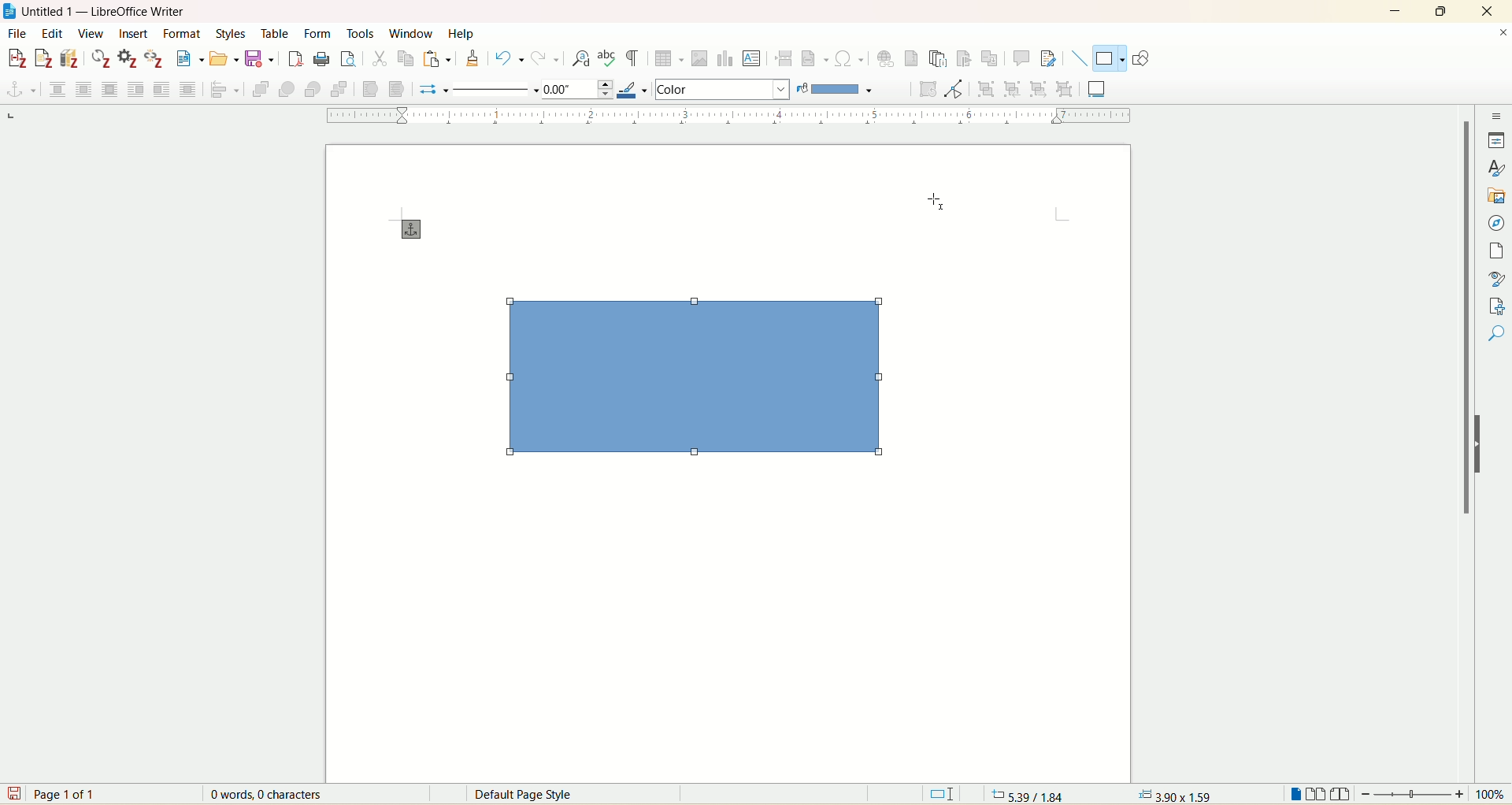 The image size is (1512, 805). I want to click on styles, so click(235, 34).